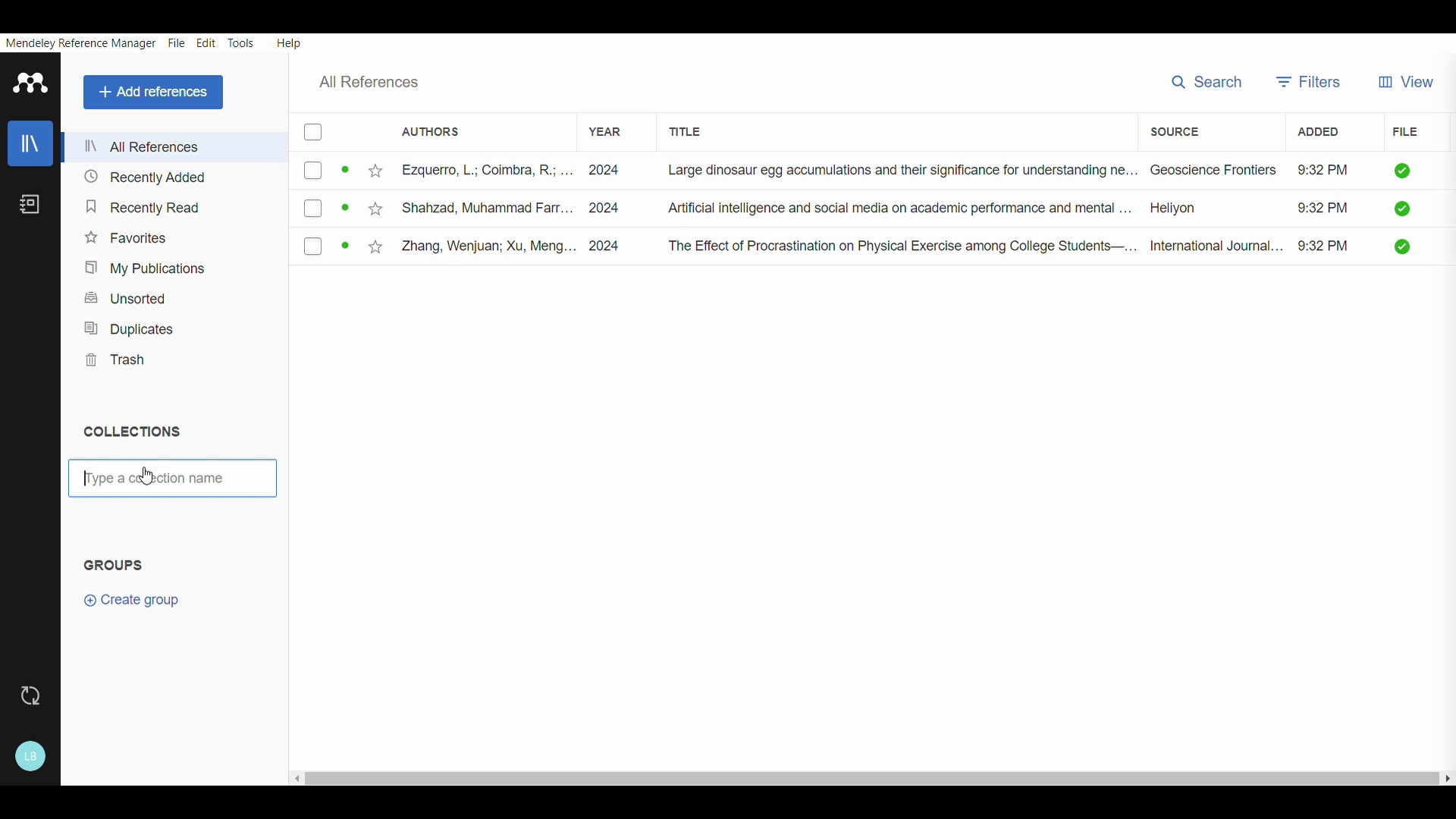 The image size is (1456, 819). Describe the element at coordinates (1041, 172) in the screenshot. I see `Large dinosaur egg accumulations and their significance for understanding ne... Geoscience Frontiers ~~ 9:32 PM Q` at that location.